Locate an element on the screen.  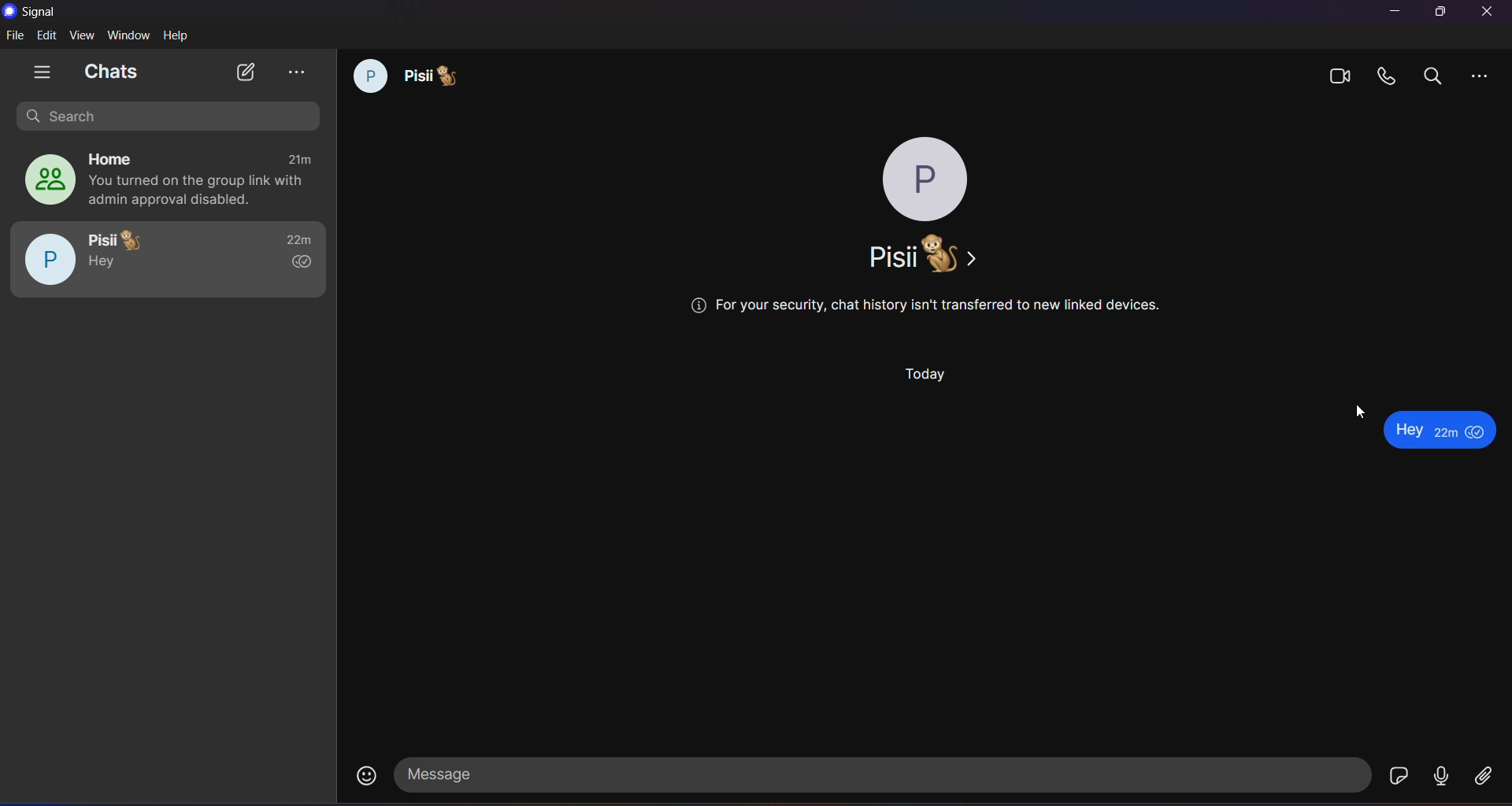
edit is located at coordinates (46, 36).